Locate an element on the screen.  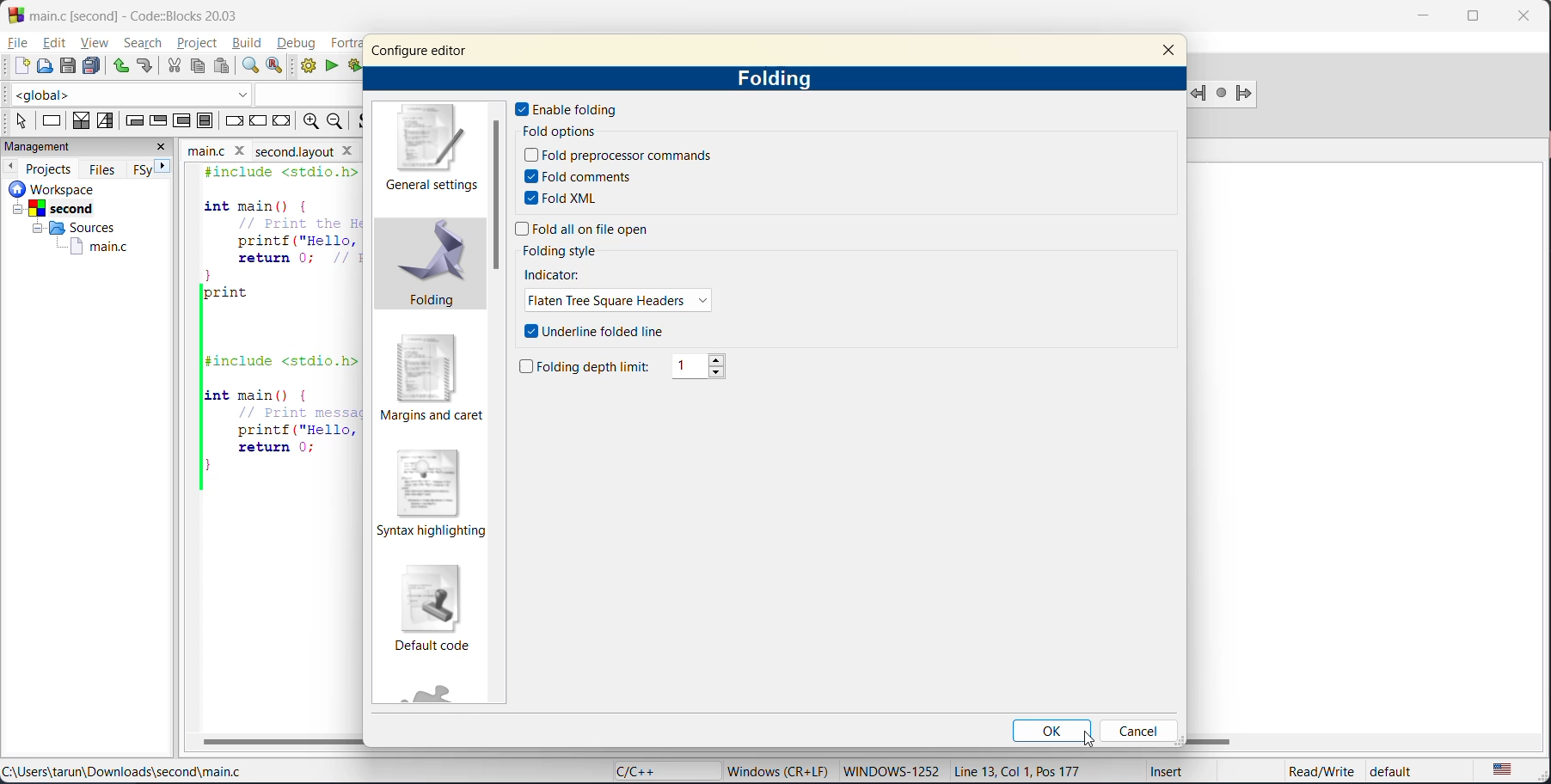
file location is located at coordinates (124, 774).